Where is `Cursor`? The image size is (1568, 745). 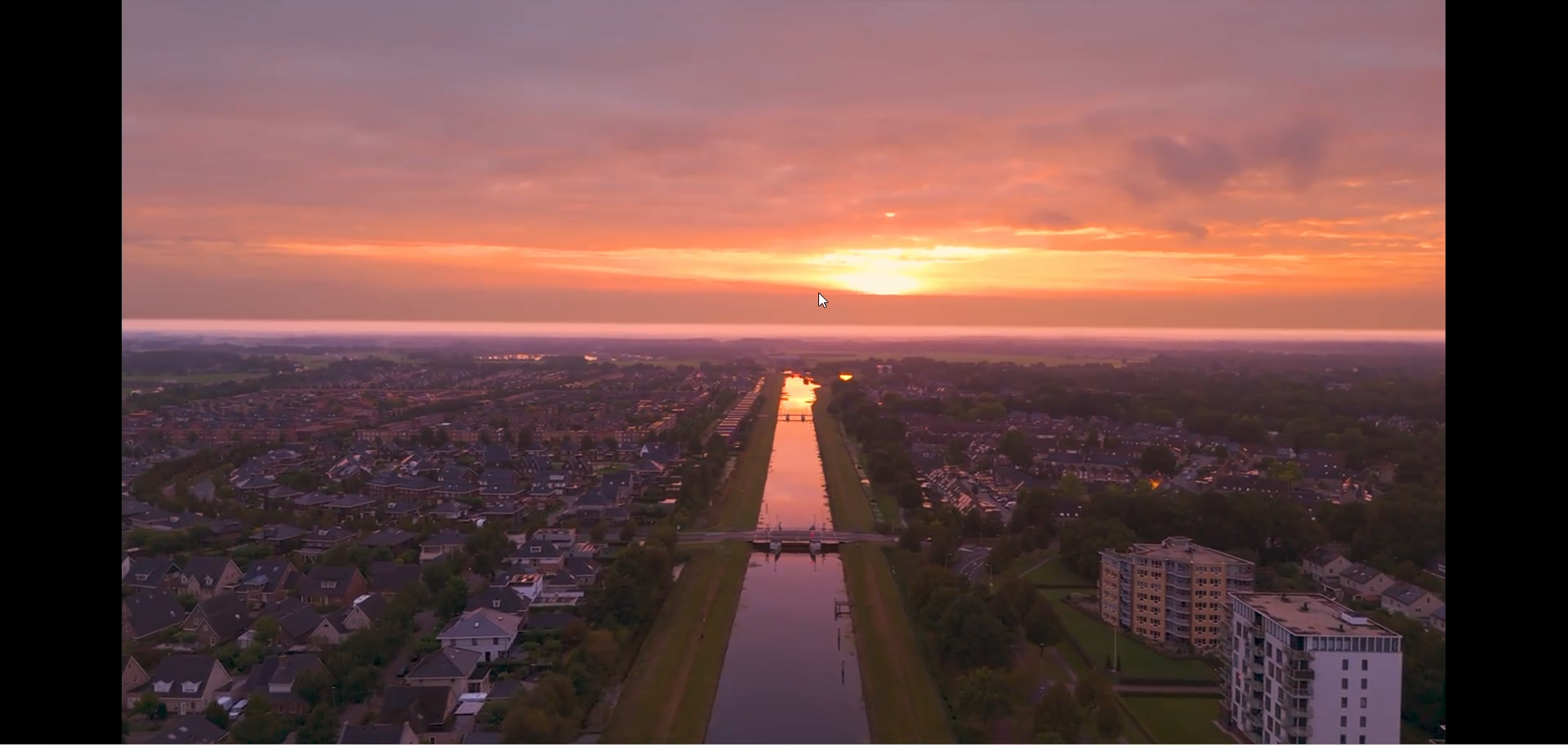 Cursor is located at coordinates (822, 301).